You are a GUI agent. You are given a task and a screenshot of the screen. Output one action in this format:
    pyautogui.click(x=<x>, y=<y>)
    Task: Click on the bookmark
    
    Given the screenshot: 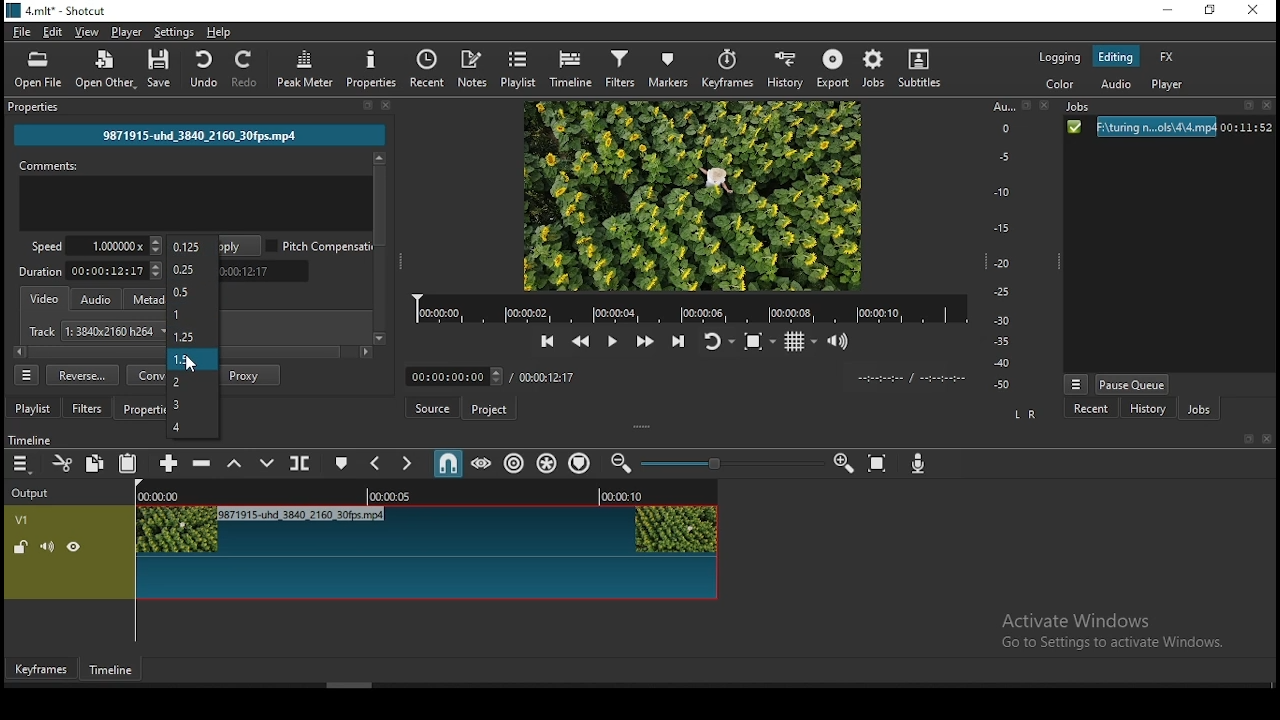 What is the action you would take?
    pyautogui.click(x=366, y=106)
    